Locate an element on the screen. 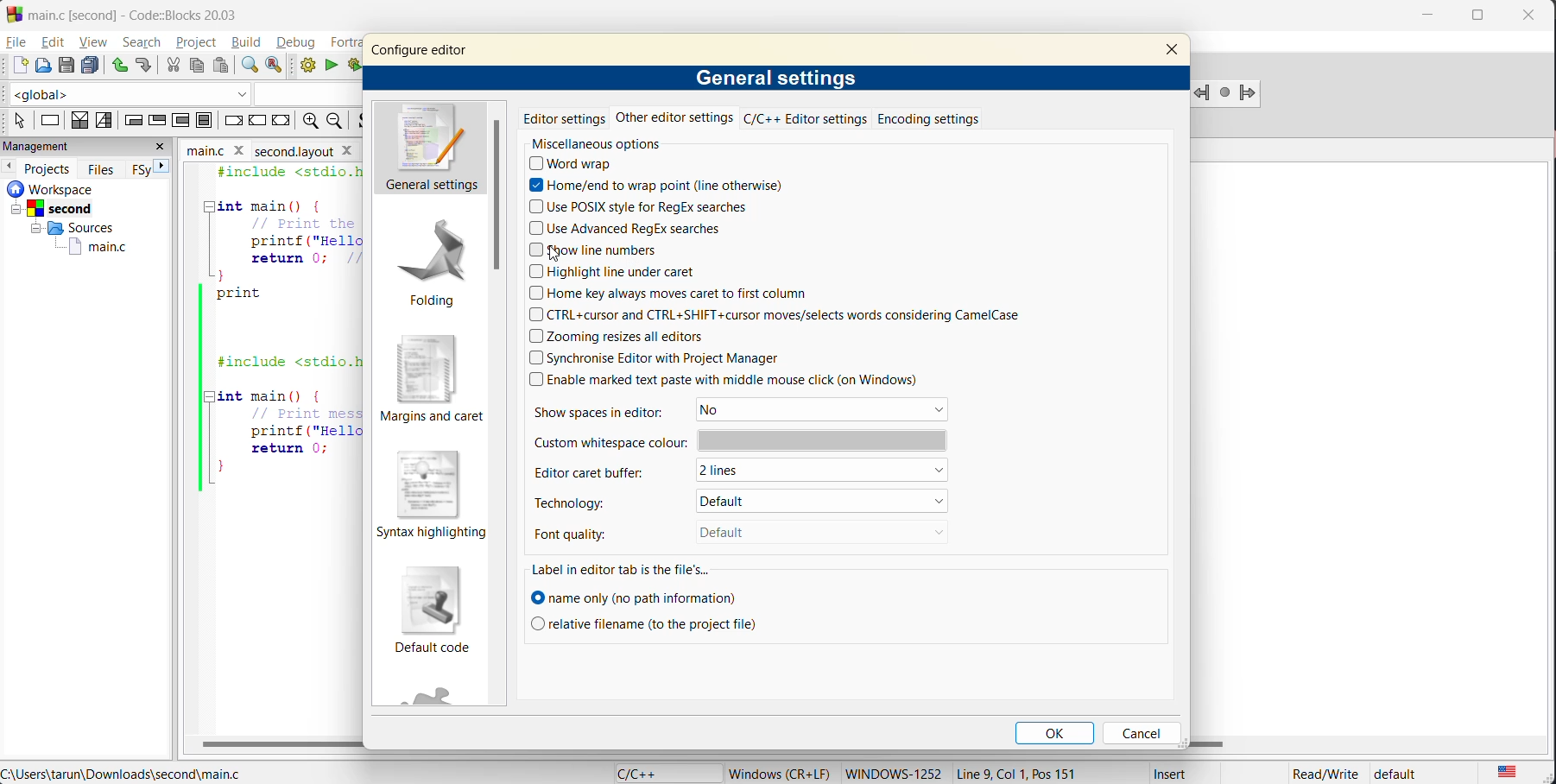 Image resolution: width=1556 pixels, height=784 pixels. horizontal scroll bar is located at coordinates (282, 742).